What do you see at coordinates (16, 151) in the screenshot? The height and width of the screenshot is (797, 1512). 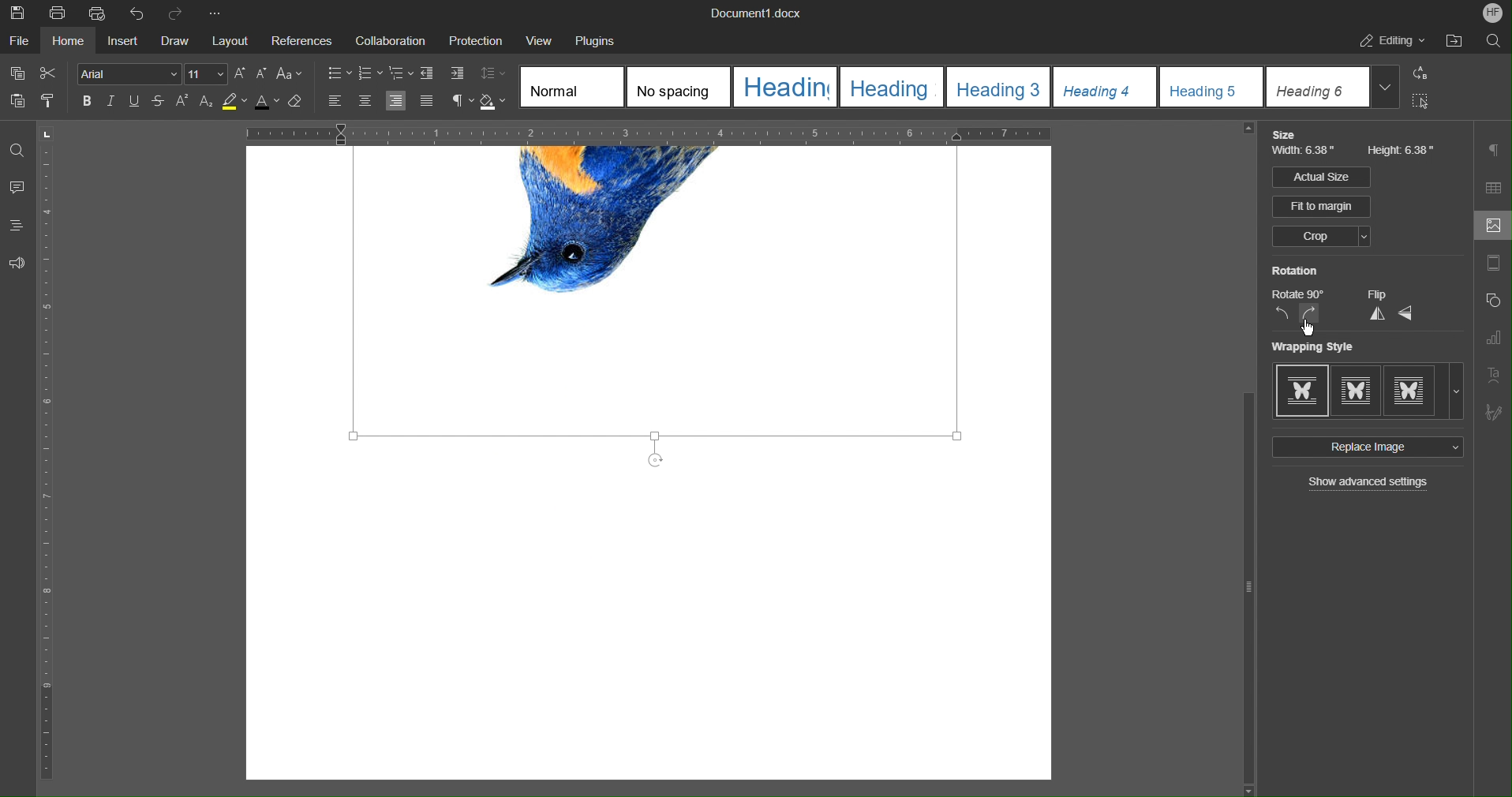 I see `Find` at bounding box center [16, 151].